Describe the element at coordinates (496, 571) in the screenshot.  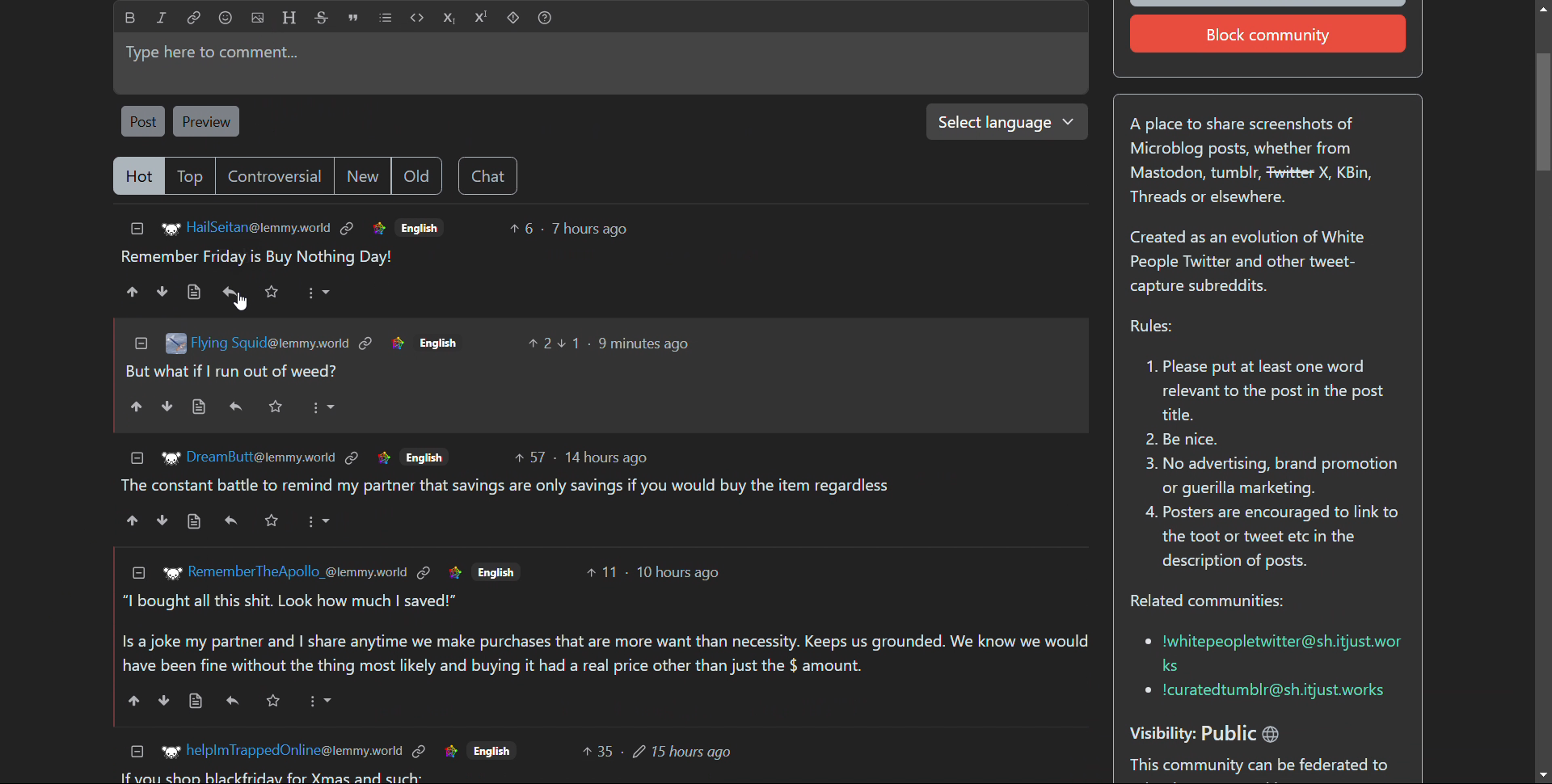
I see `language` at that location.